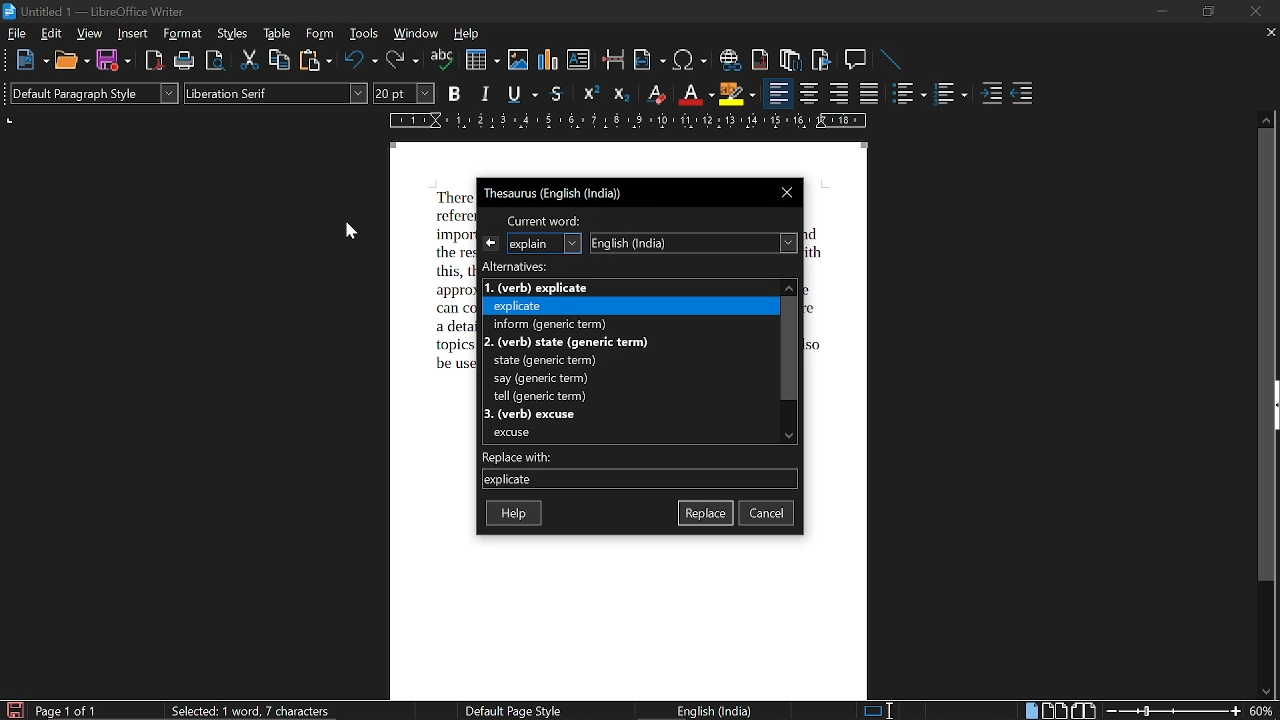  I want to click on currently selected, so click(639, 477).